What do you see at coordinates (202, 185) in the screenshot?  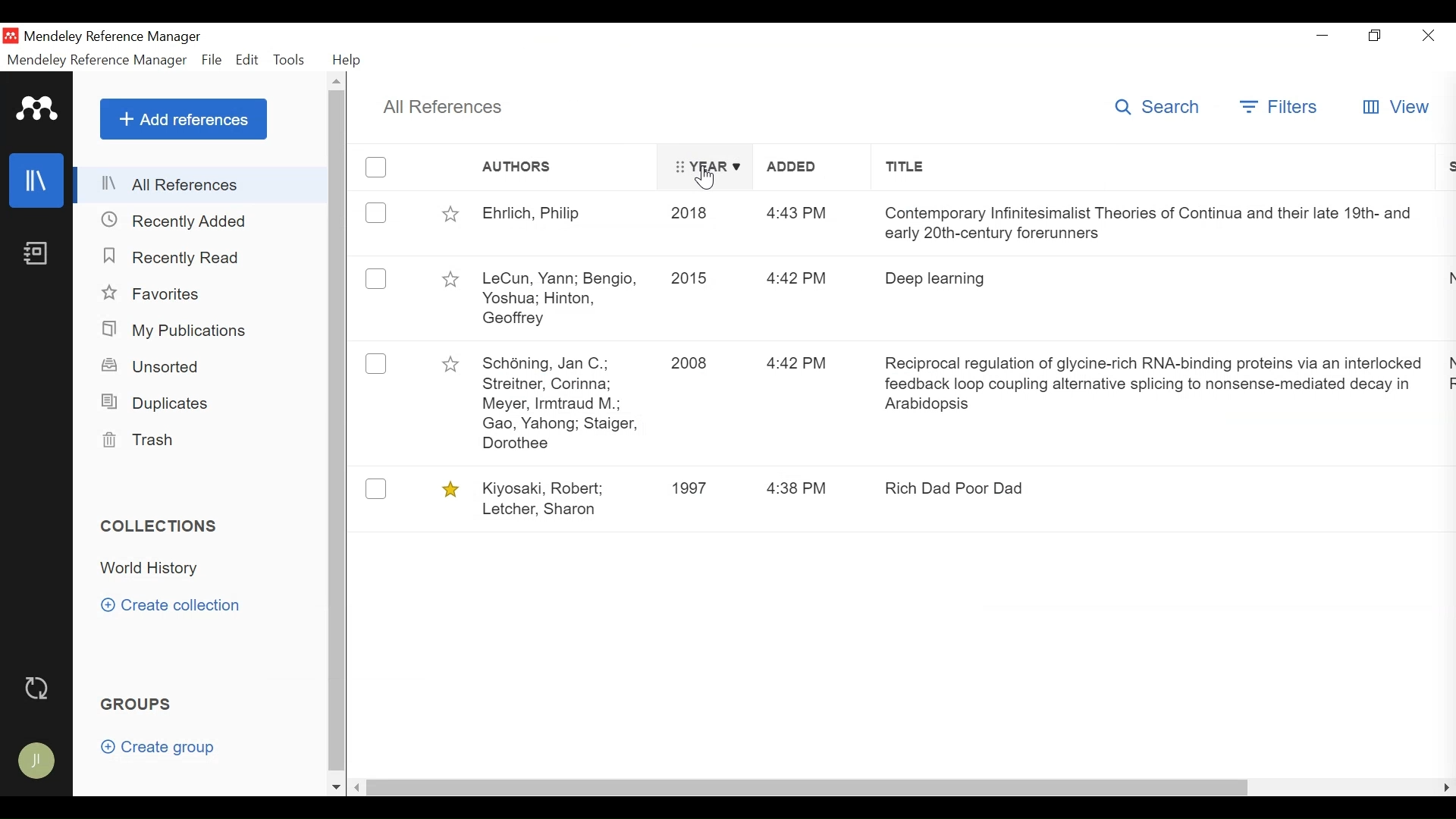 I see `All References` at bounding box center [202, 185].